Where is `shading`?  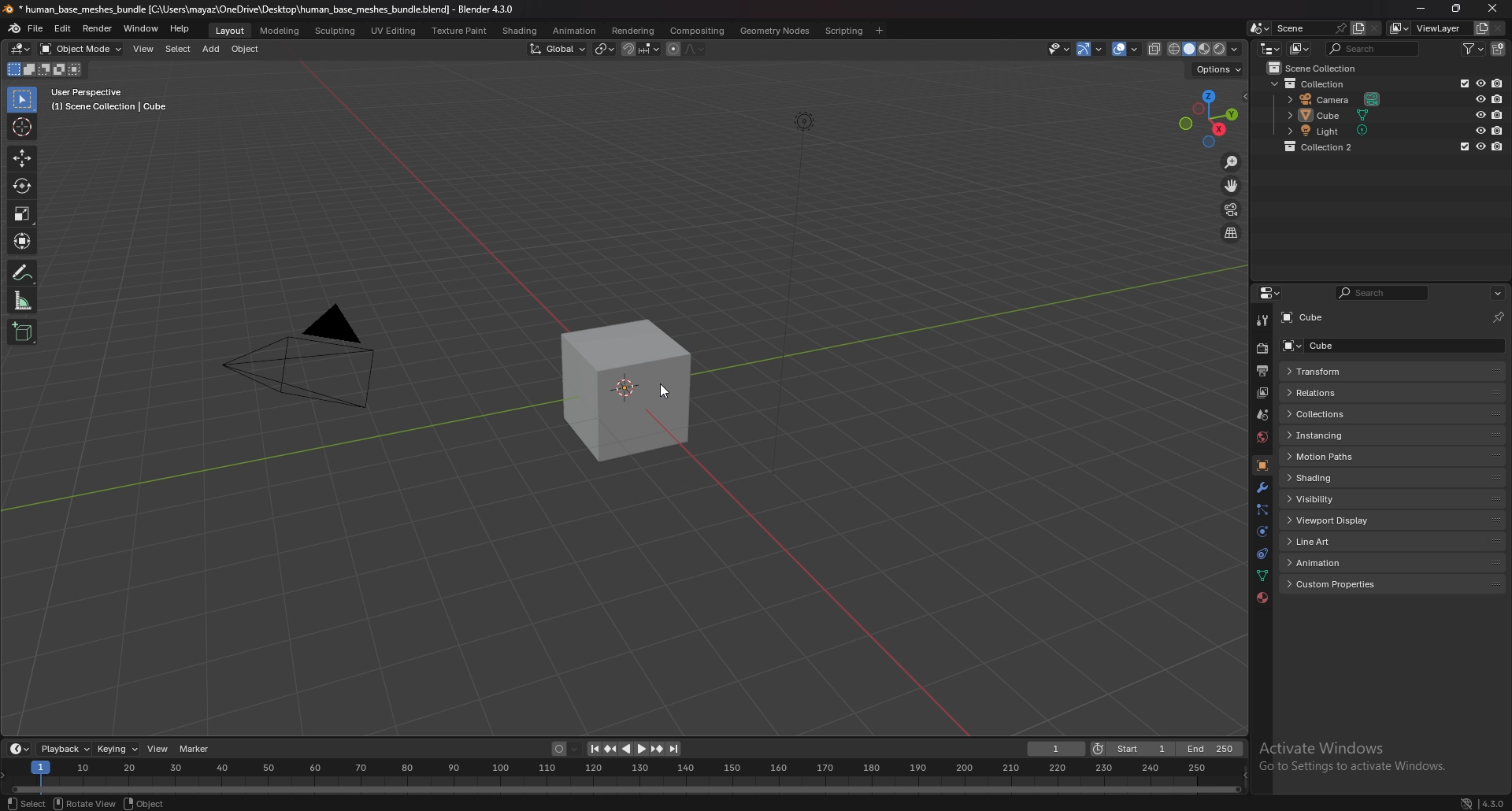
shading is located at coordinates (521, 31).